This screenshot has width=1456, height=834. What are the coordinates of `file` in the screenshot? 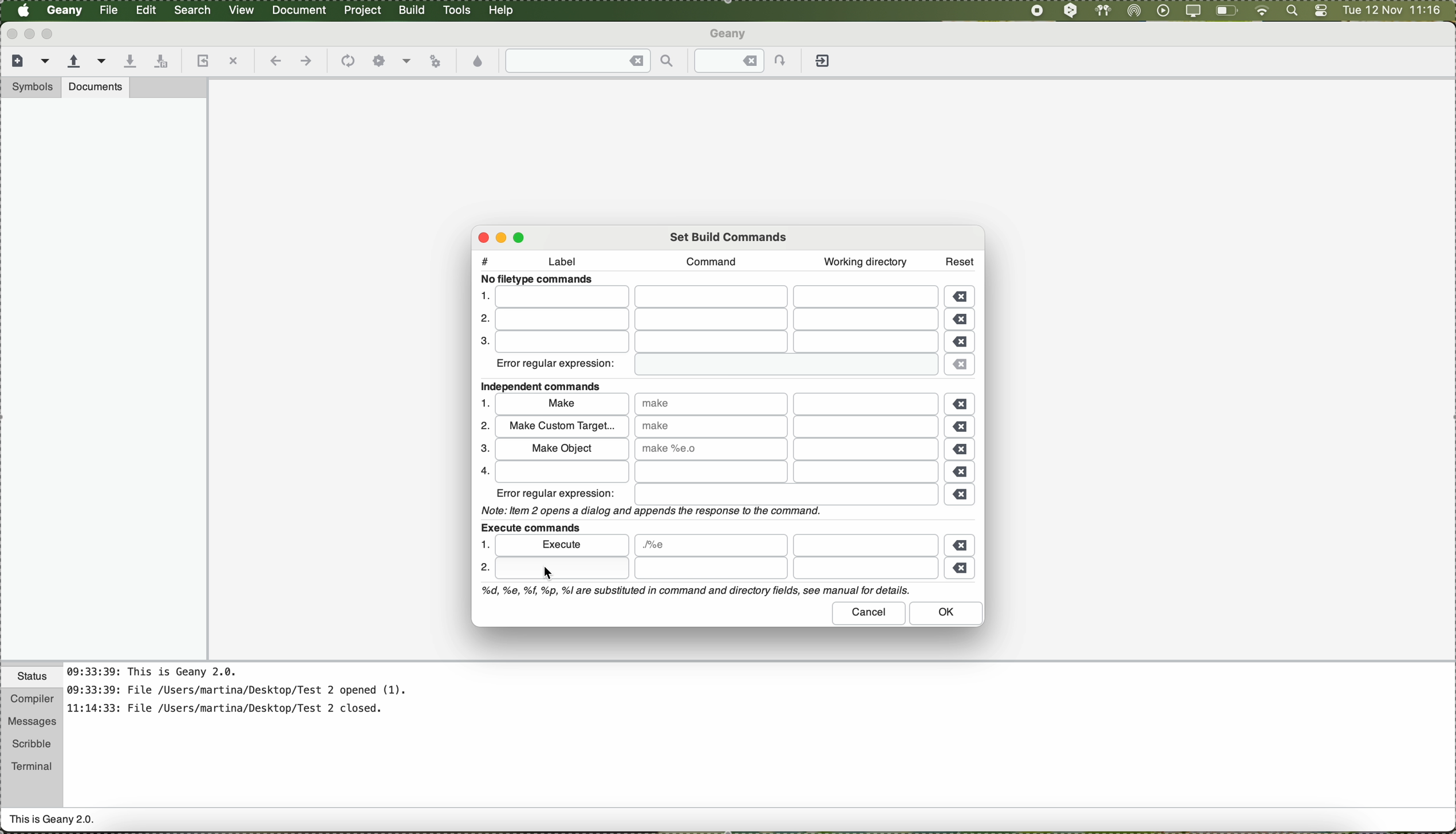 It's located at (711, 545).